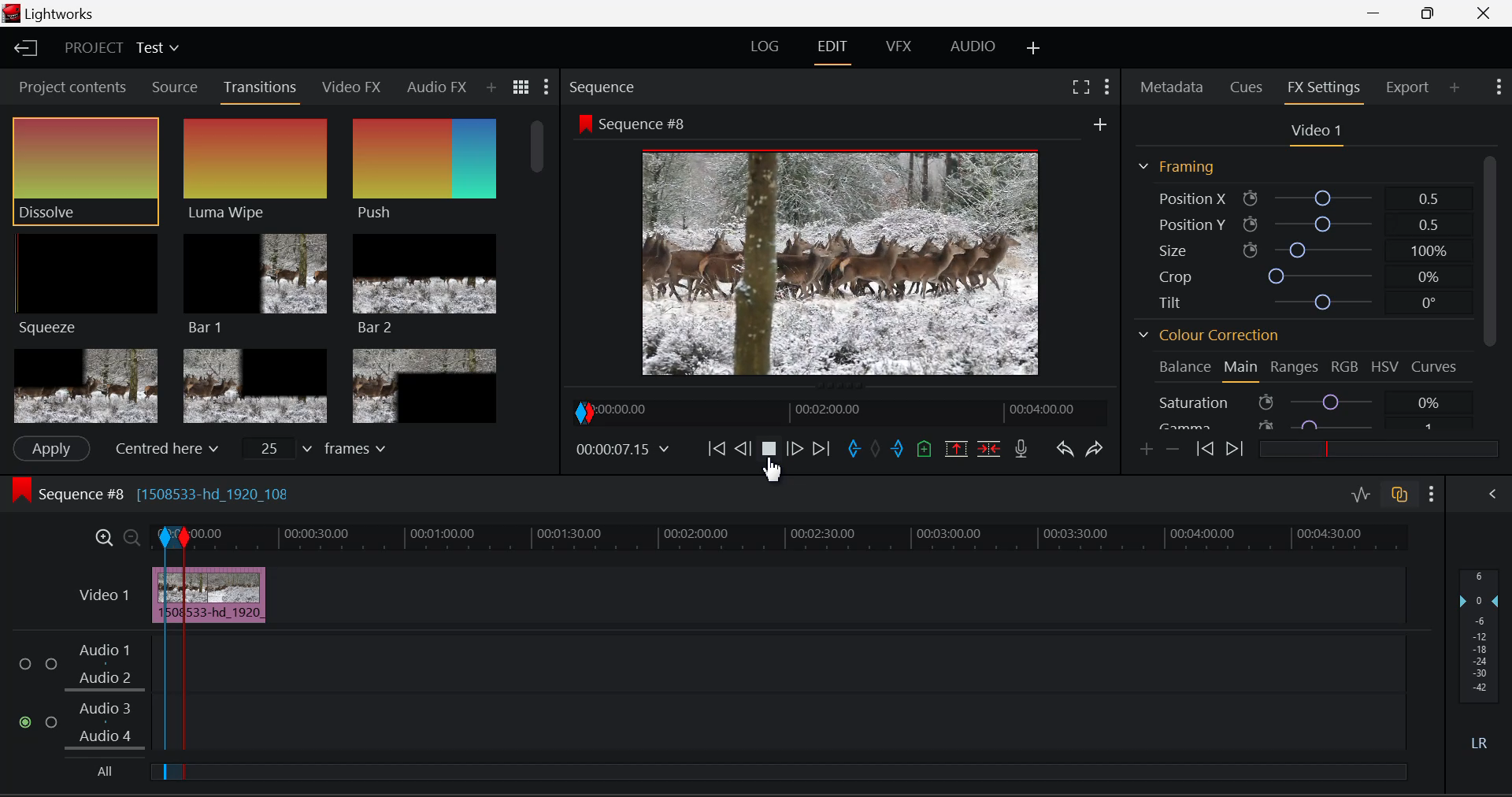 The height and width of the screenshot is (797, 1512). Describe the element at coordinates (1210, 336) in the screenshot. I see `Colour Correction Section` at that location.